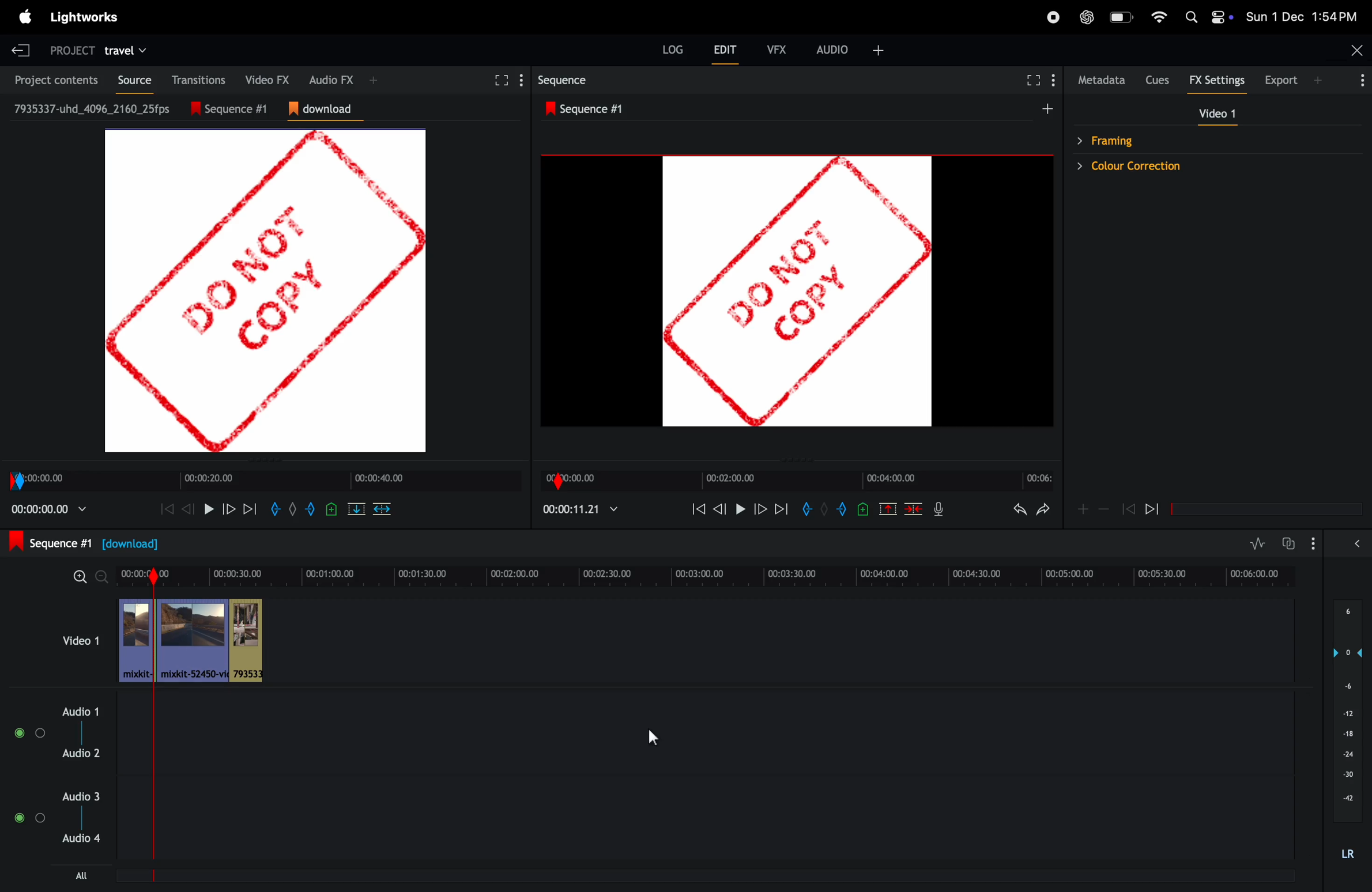  Describe the element at coordinates (1123, 17) in the screenshot. I see `battery` at that location.